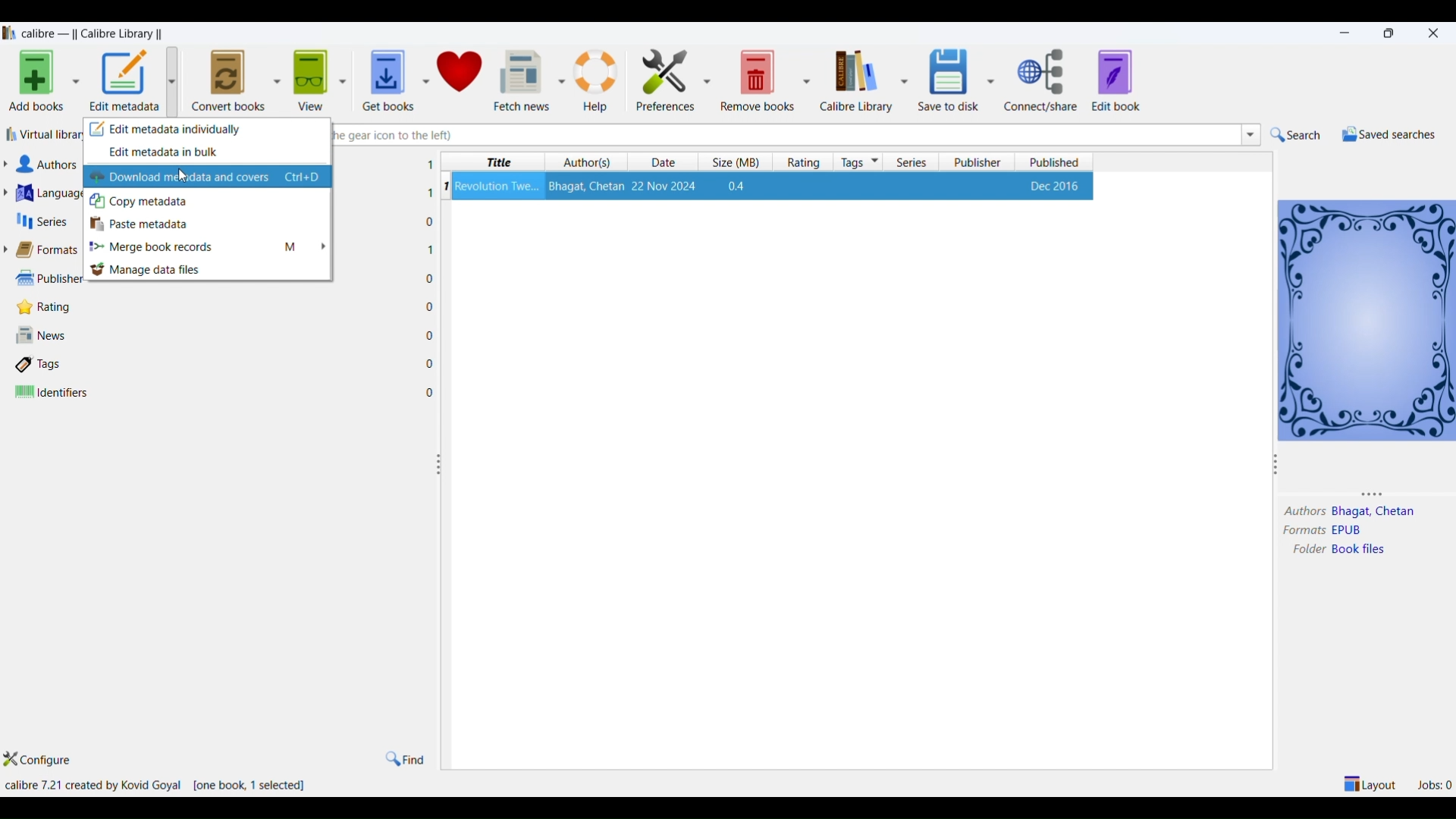 This screenshot has height=819, width=1456. Describe the element at coordinates (46, 761) in the screenshot. I see `configure` at that location.